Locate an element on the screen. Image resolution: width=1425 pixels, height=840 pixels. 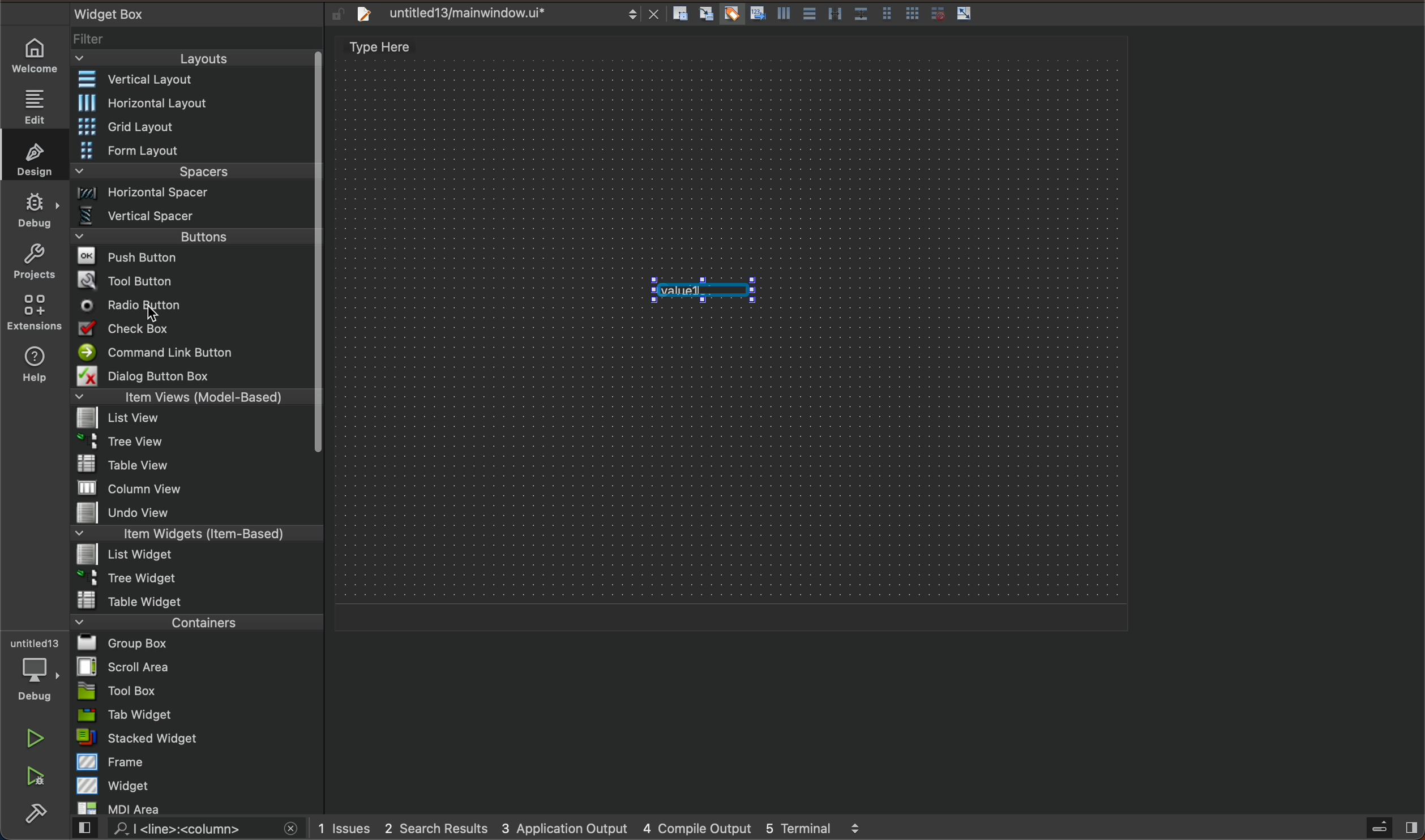
search is located at coordinates (183, 829).